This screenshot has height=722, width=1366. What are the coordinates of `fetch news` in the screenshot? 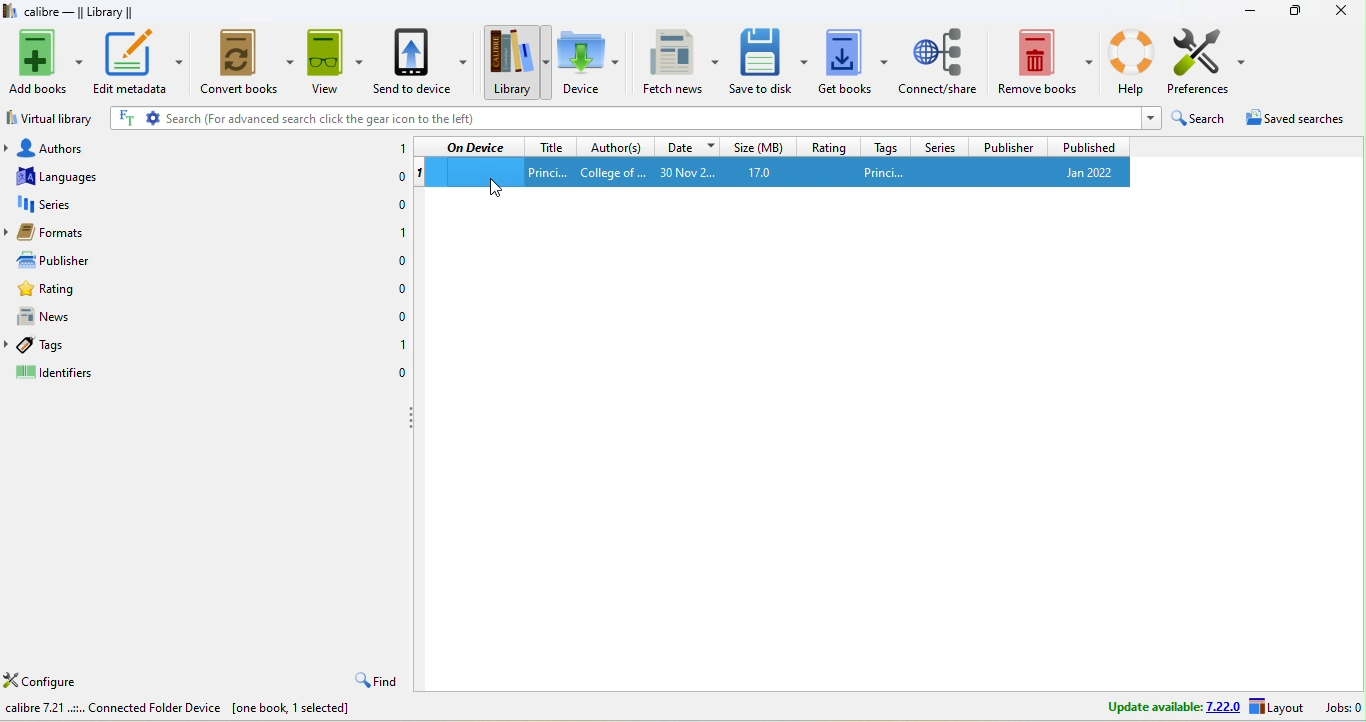 It's located at (682, 60).